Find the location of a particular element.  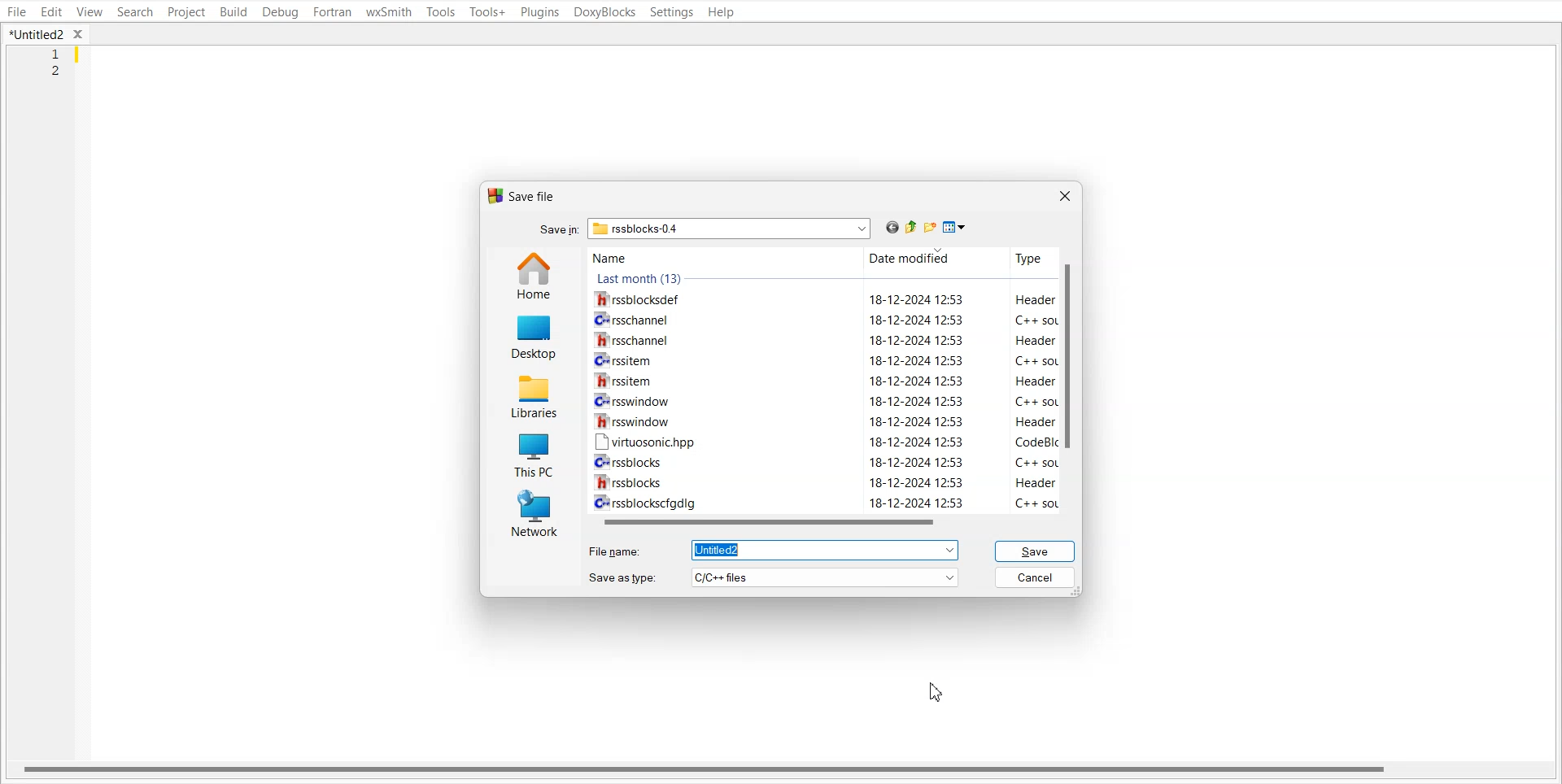

WW rssblocks 18-12-2024 12:53 Header is located at coordinates (822, 481).